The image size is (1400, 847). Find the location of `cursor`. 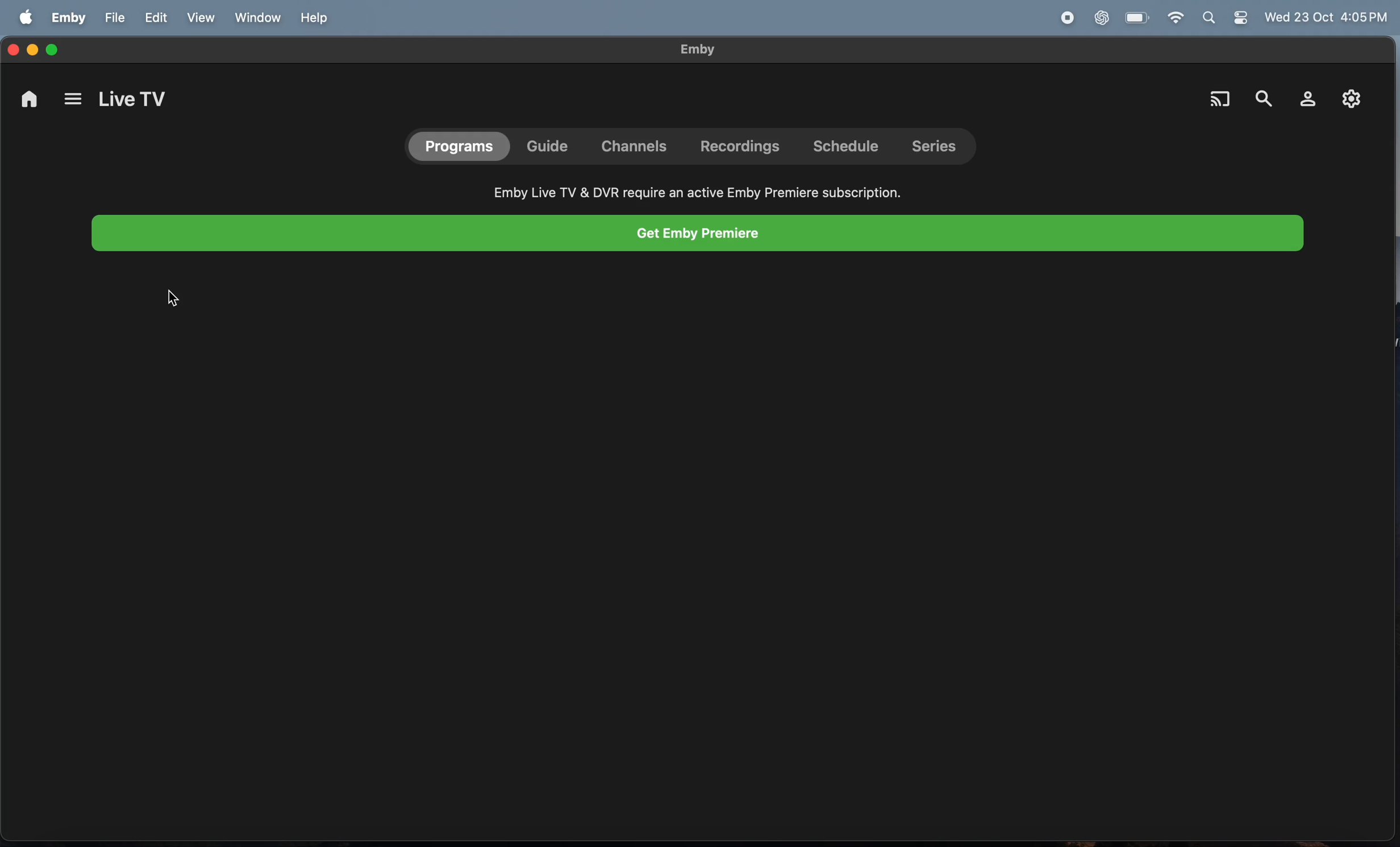

cursor is located at coordinates (171, 302).